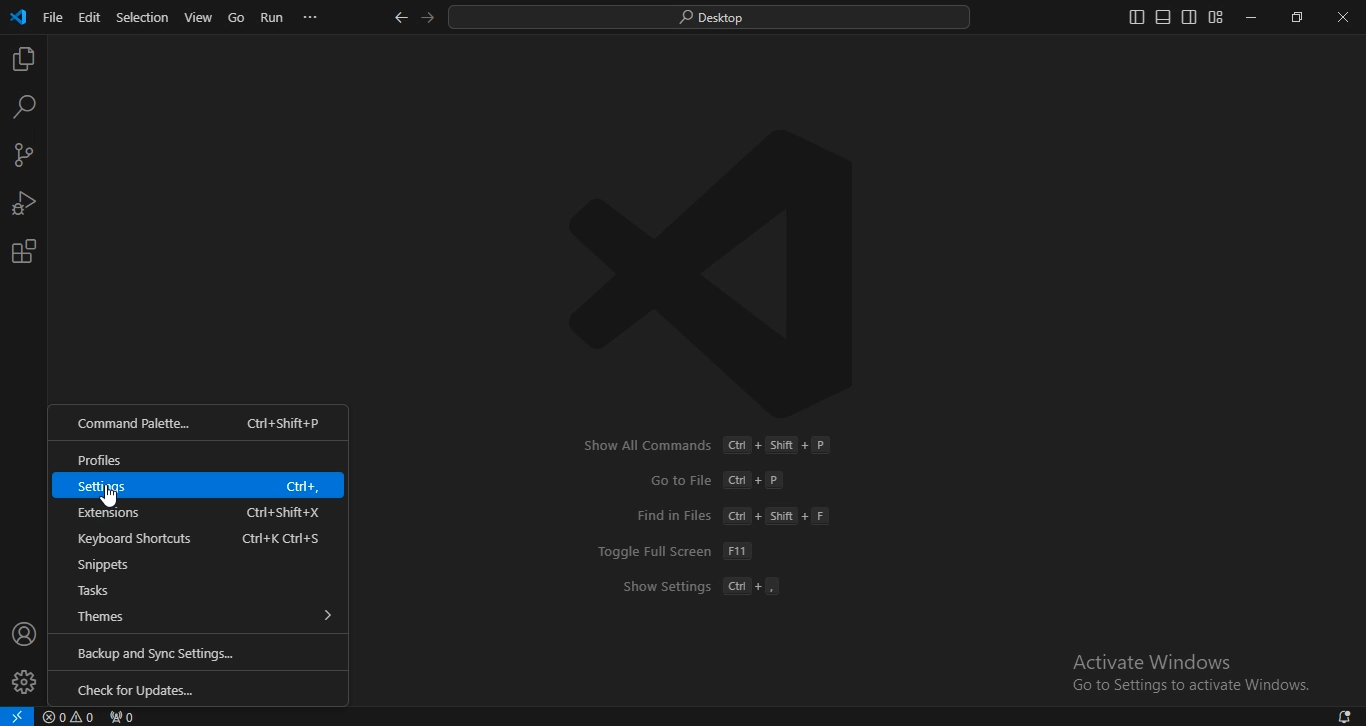 This screenshot has height=726, width=1366. Describe the element at coordinates (1216, 16) in the screenshot. I see `customize layout` at that location.